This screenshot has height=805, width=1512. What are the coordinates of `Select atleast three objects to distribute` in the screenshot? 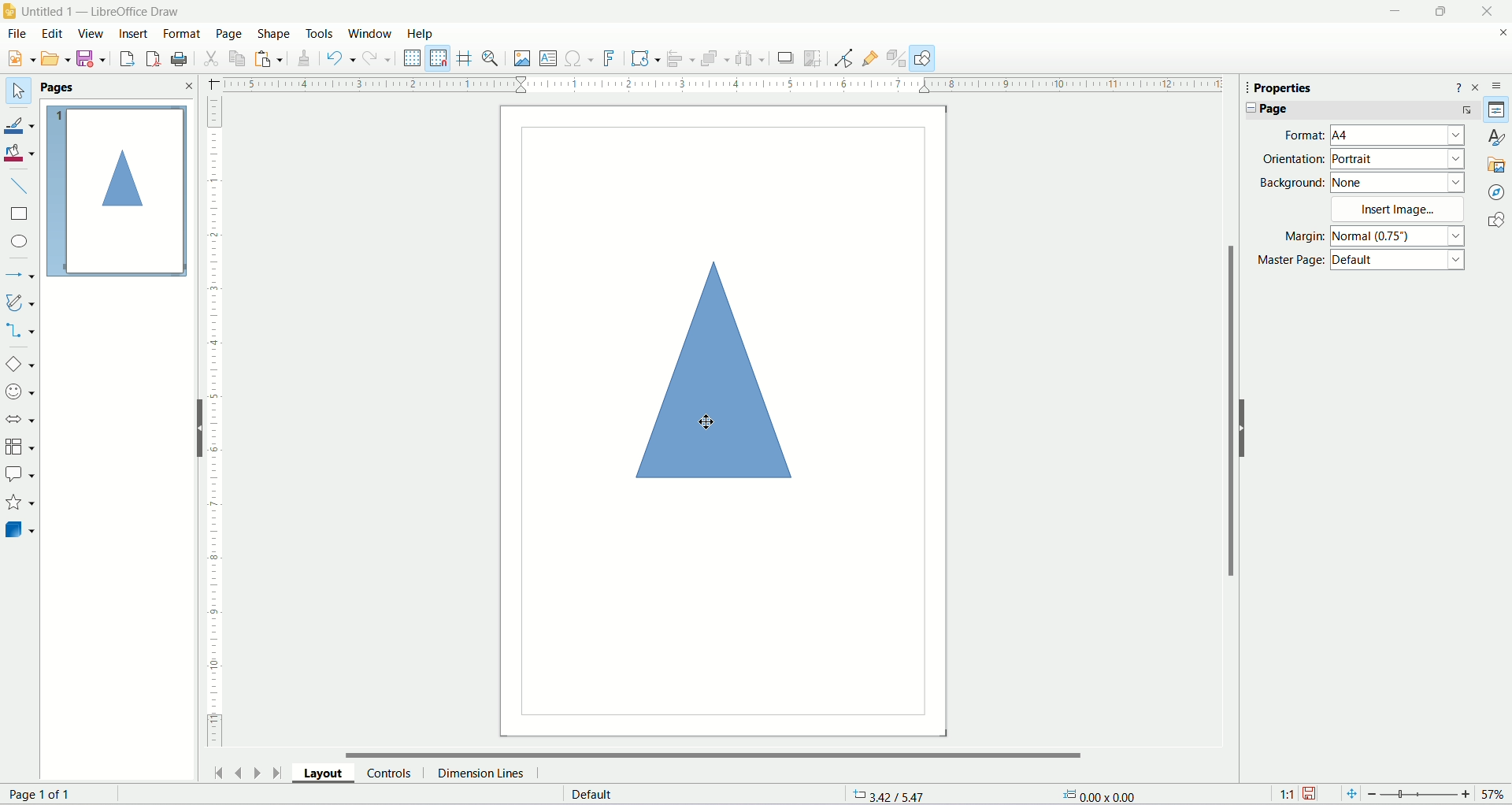 It's located at (749, 58).